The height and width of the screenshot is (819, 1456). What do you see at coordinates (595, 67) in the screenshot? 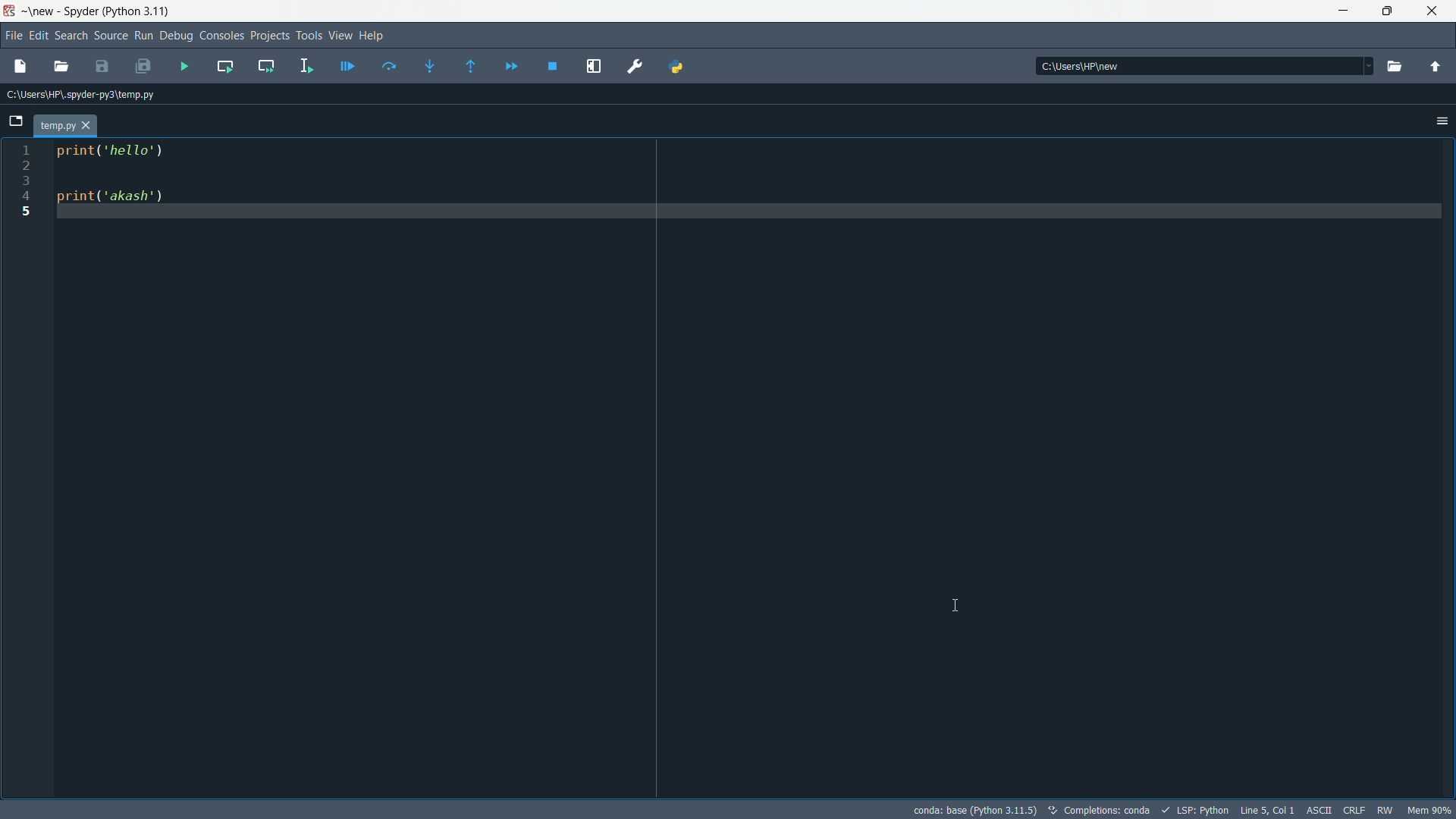
I see `maximize current pane` at bounding box center [595, 67].